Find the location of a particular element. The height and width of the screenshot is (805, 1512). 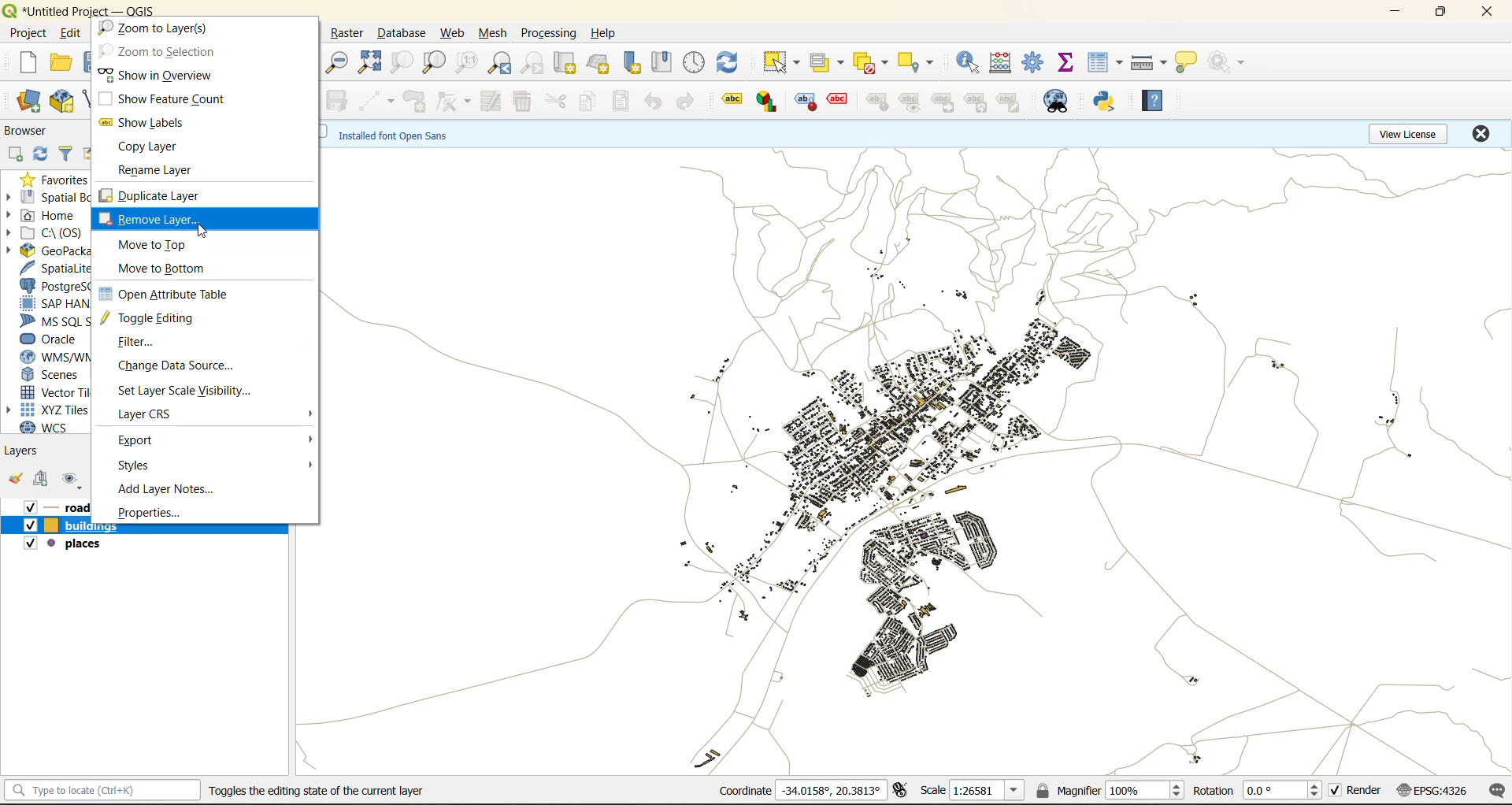

modify is located at coordinates (490, 102).